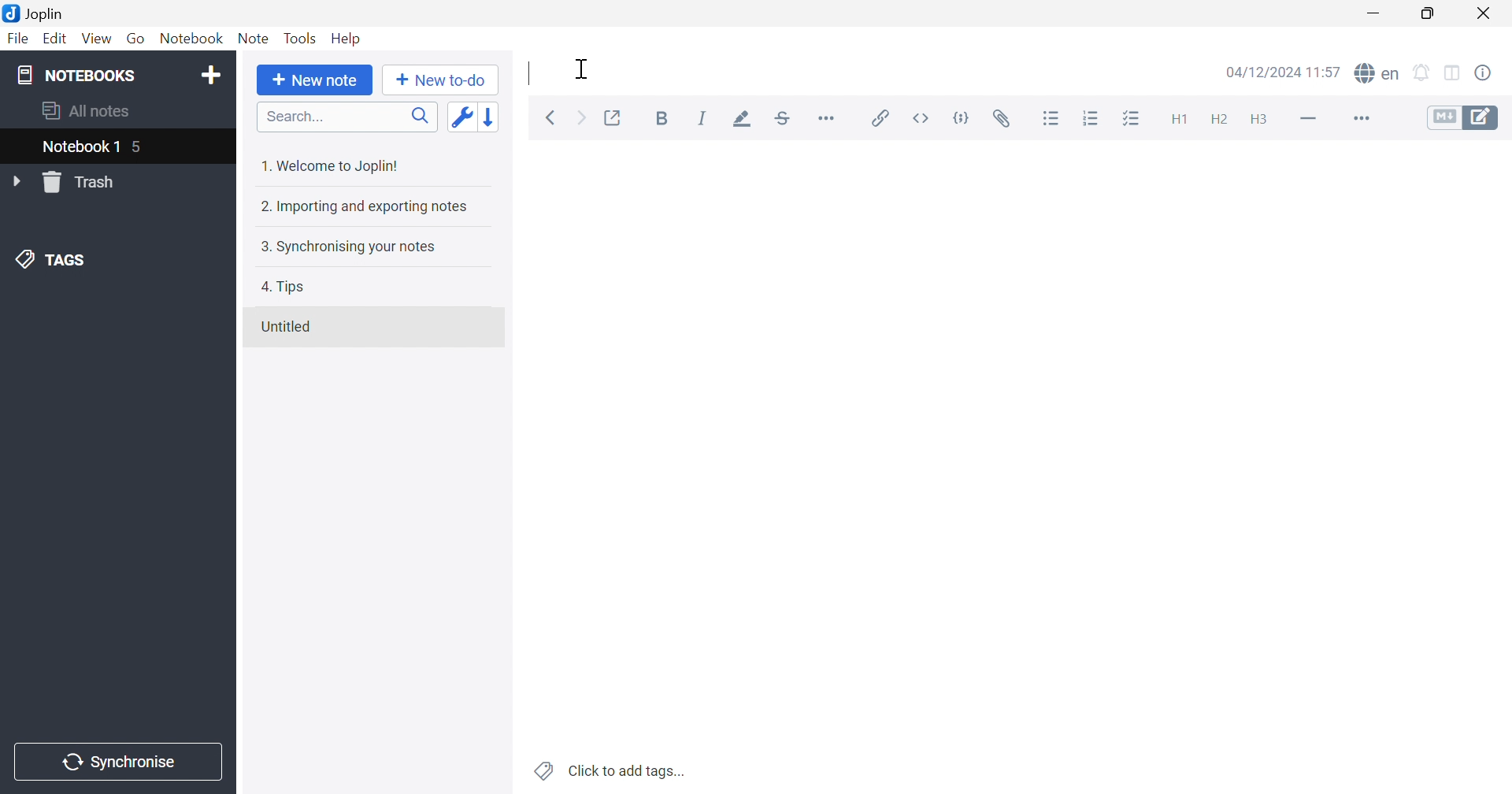  What do you see at coordinates (1485, 12) in the screenshot?
I see `Close` at bounding box center [1485, 12].